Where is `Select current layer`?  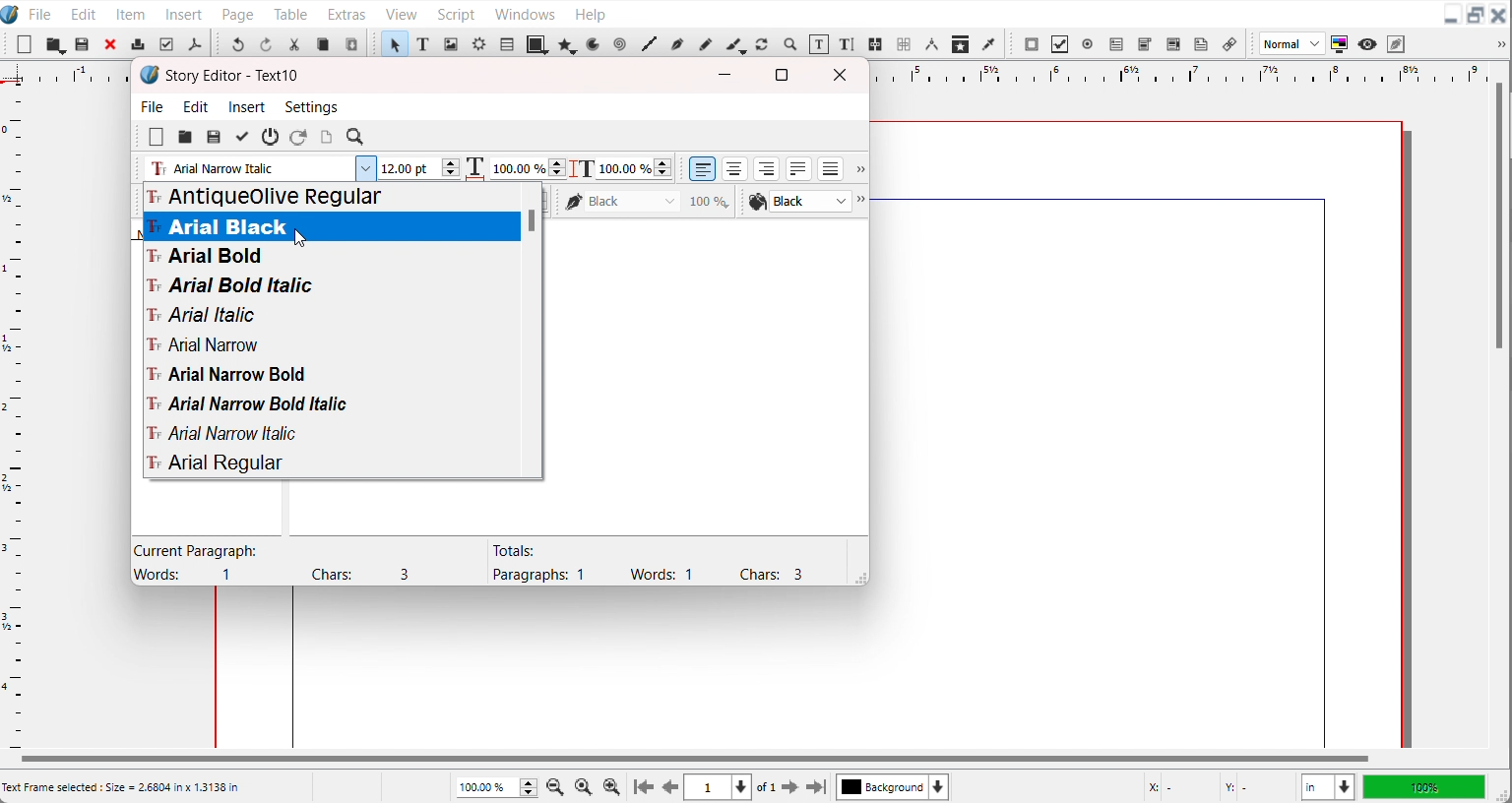
Select current layer is located at coordinates (893, 786).